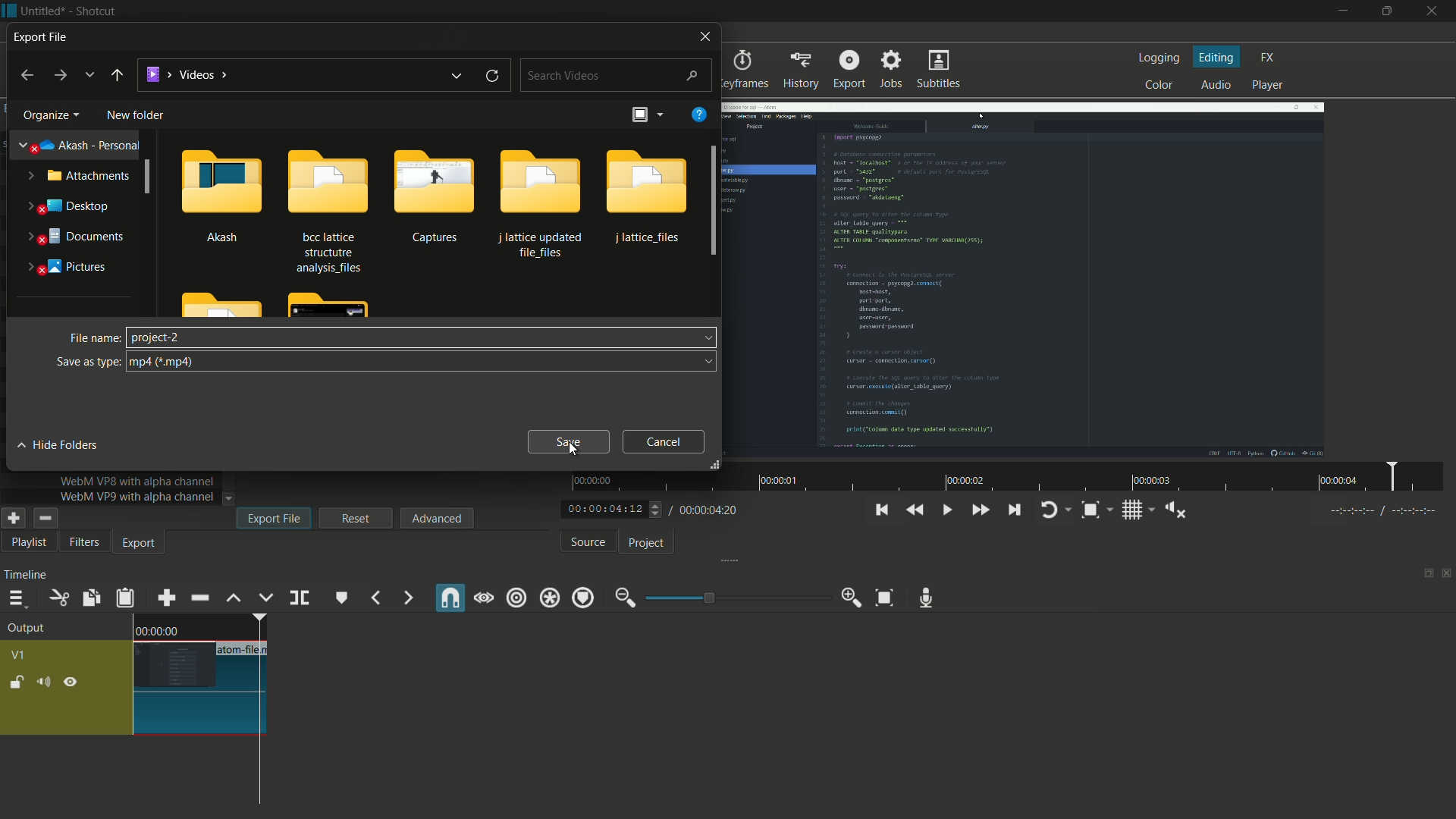 This screenshot has width=1456, height=819. What do you see at coordinates (75, 146) in the screenshot?
I see `akash personal` at bounding box center [75, 146].